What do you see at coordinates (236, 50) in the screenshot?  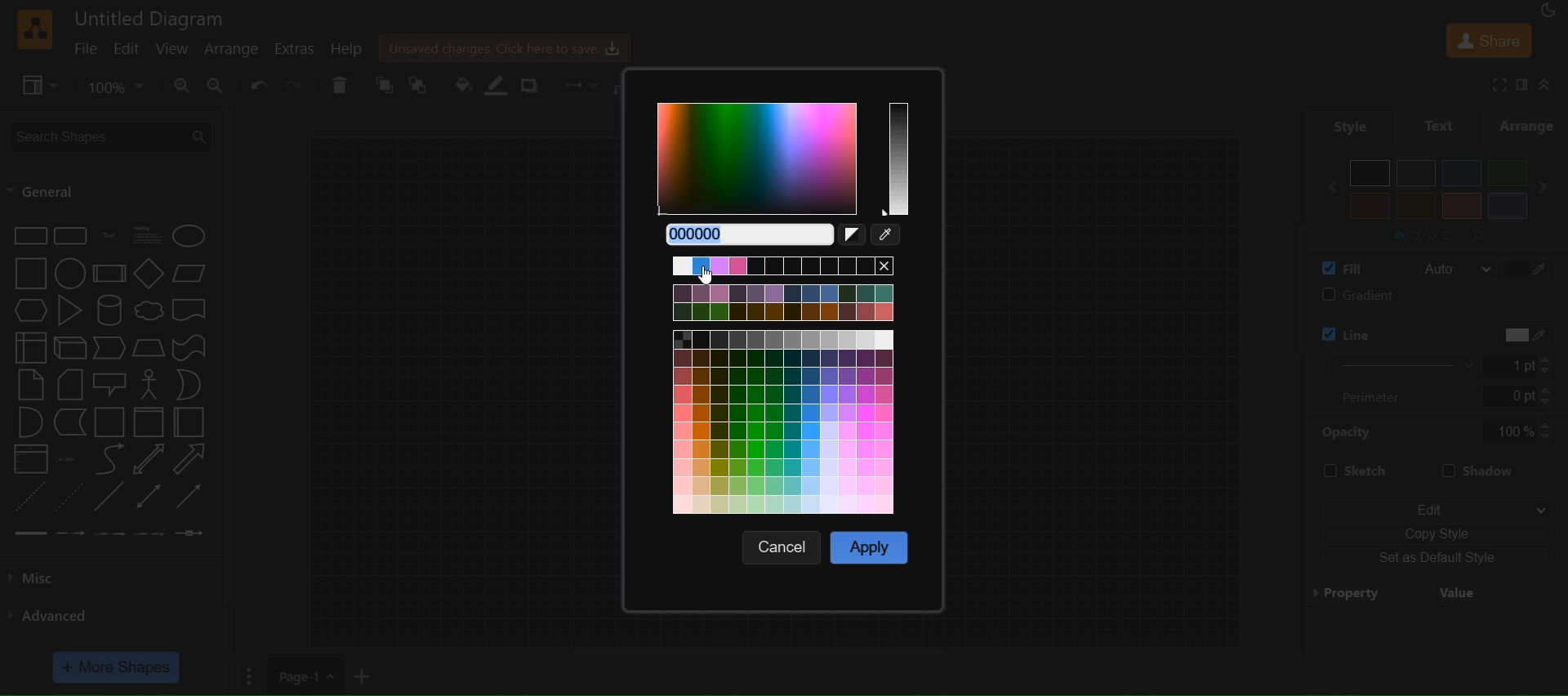 I see `arrange` at bounding box center [236, 50].